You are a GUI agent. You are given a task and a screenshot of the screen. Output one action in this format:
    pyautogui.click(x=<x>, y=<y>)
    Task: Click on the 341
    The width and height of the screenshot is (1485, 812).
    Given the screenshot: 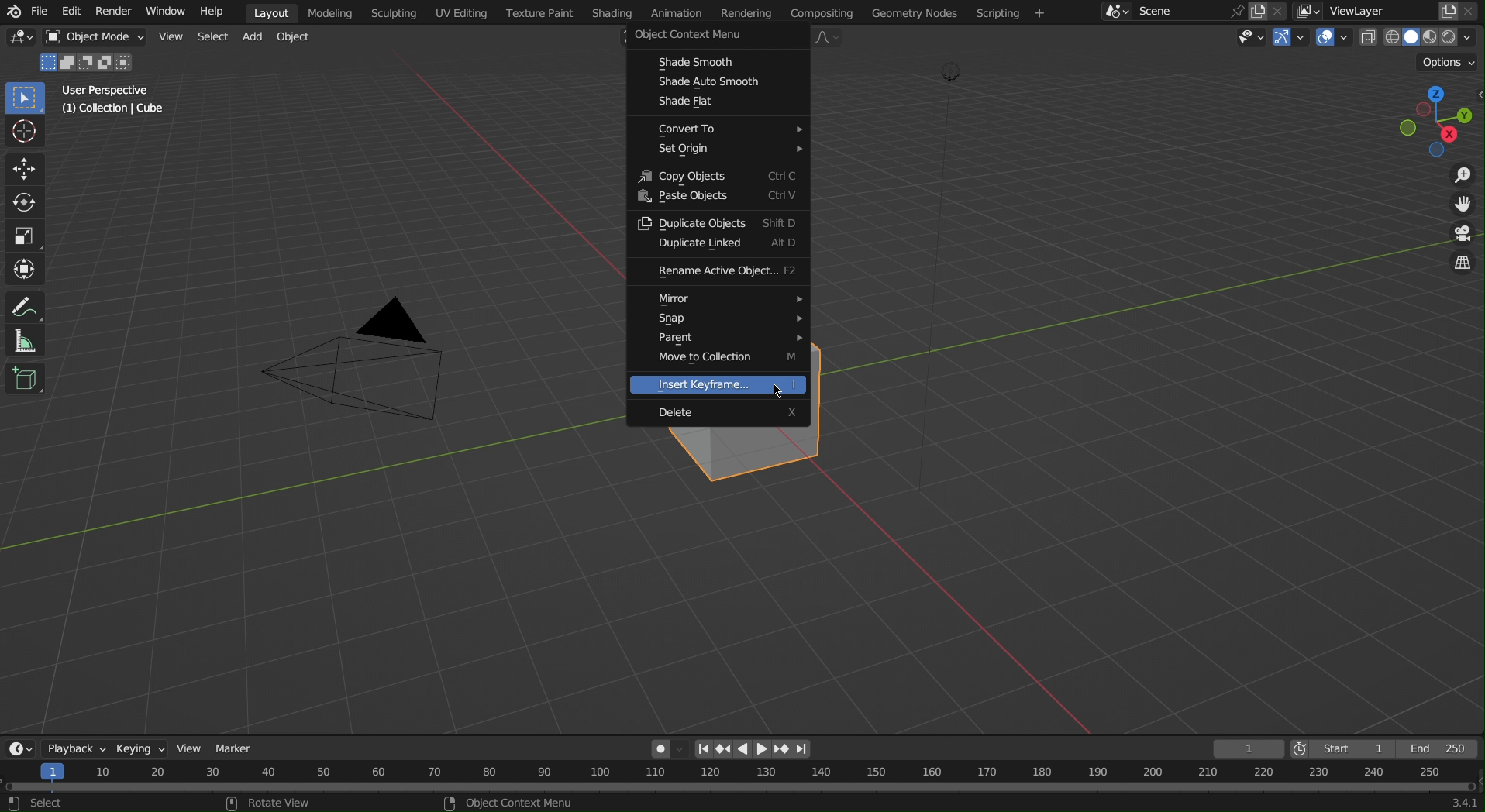 What is the action you would take?
    pyautogui.click(x=1450, y=803)
    